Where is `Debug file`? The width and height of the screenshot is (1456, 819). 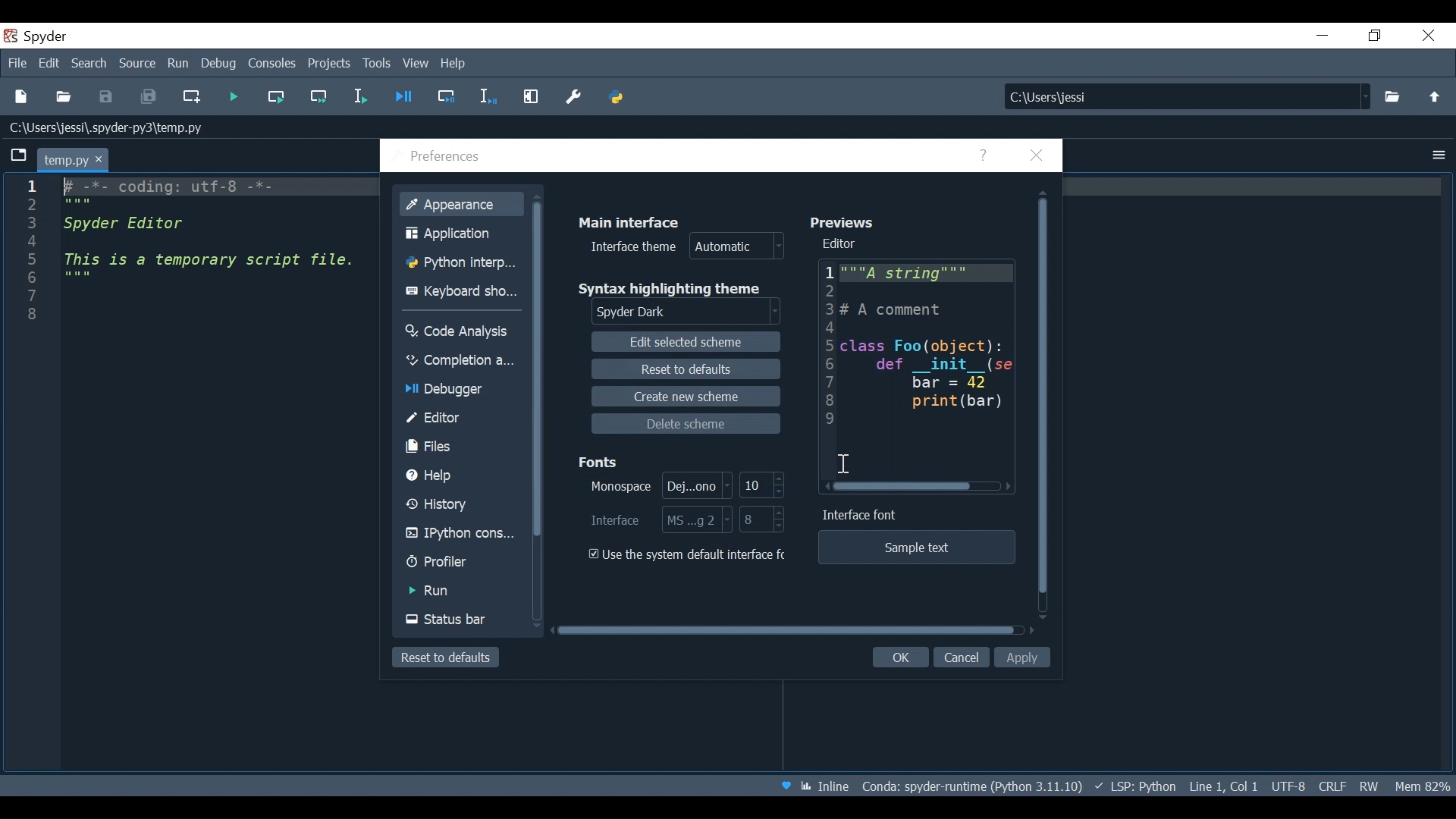
Debug file is located at coordinates (403, 98).